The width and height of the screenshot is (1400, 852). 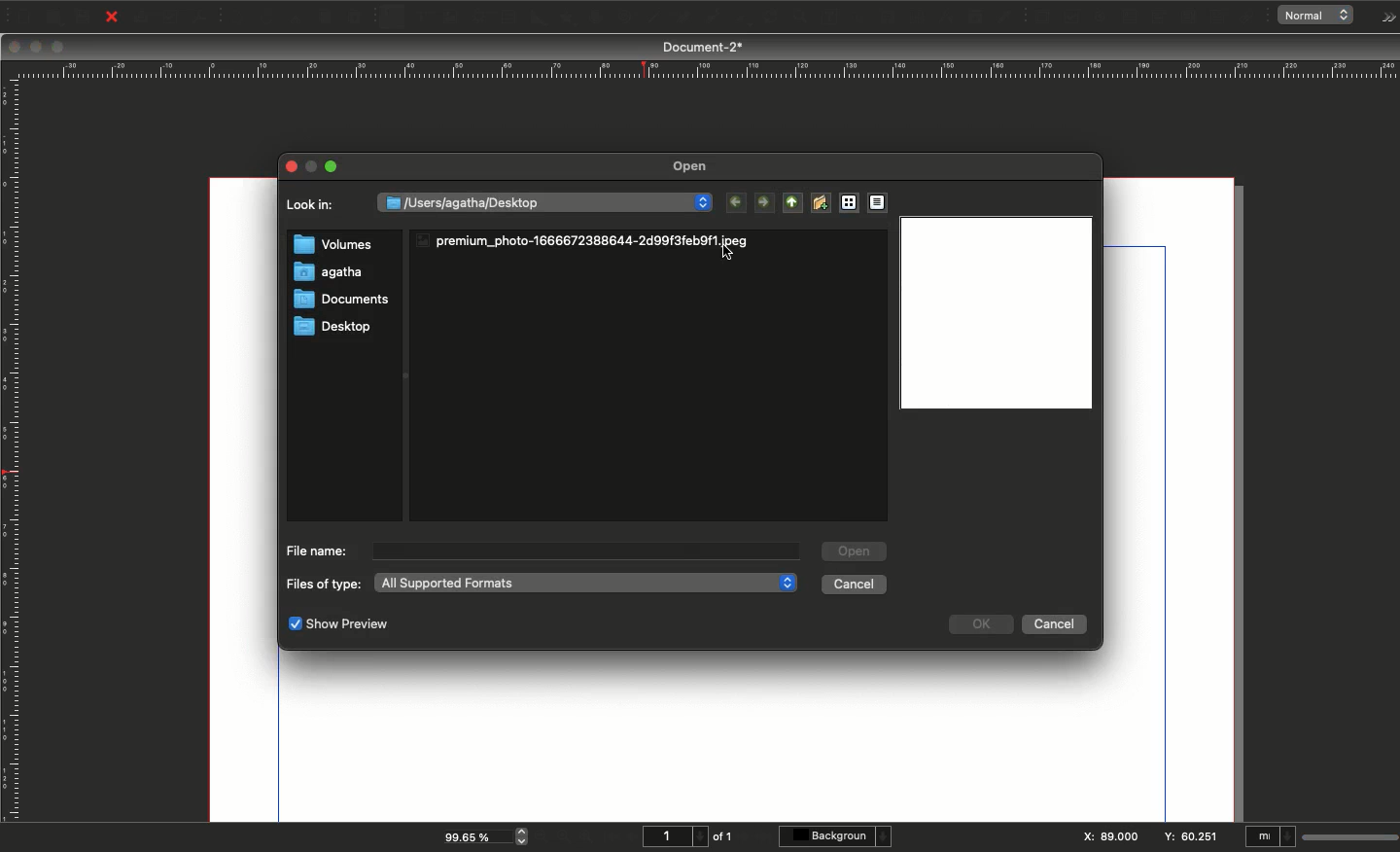 I want to click on PDF combo box, so click(x=1157, y=18).